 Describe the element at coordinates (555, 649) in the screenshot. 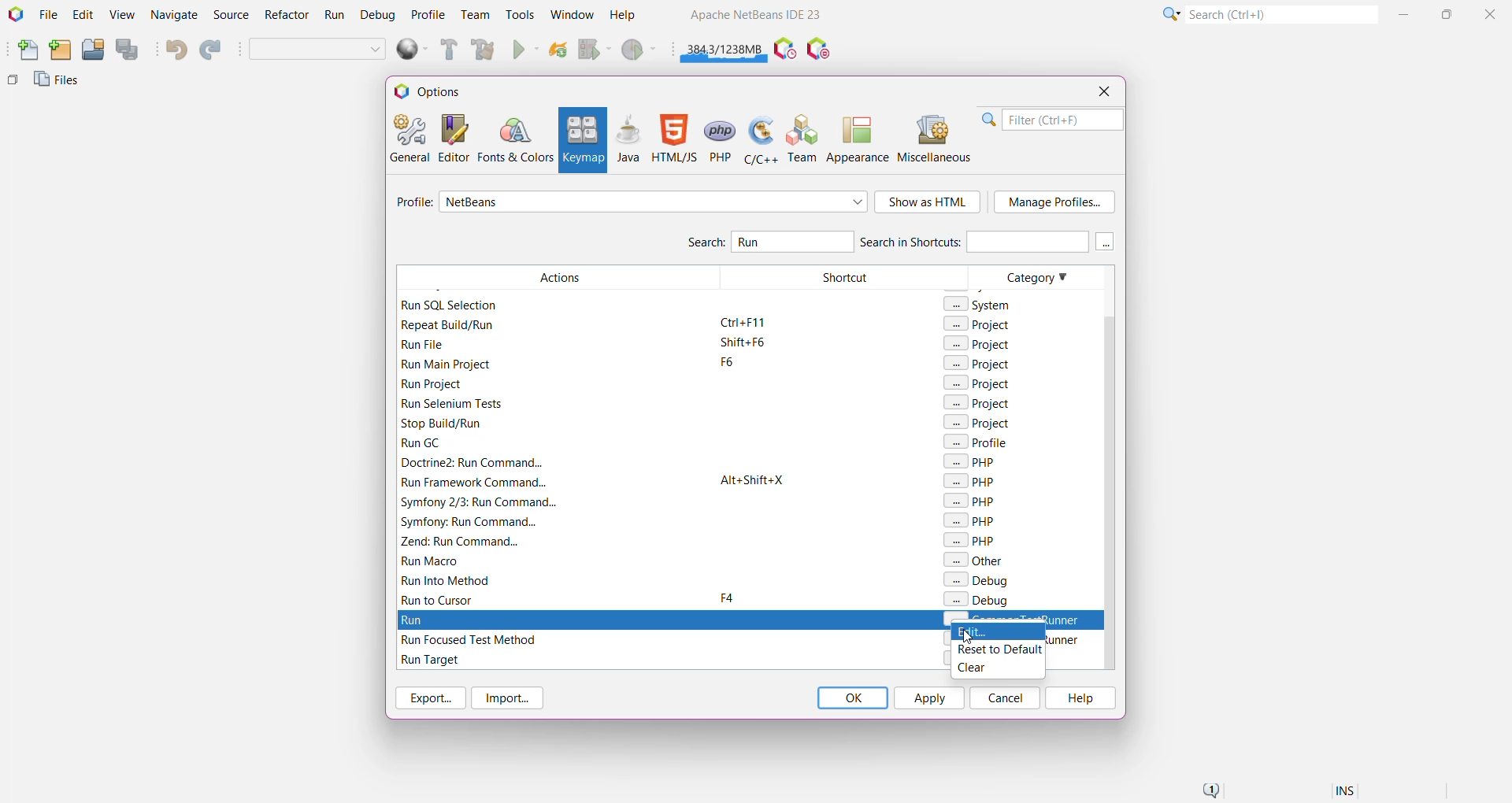

I see `Filtered Actions with Run keyword` at that location.